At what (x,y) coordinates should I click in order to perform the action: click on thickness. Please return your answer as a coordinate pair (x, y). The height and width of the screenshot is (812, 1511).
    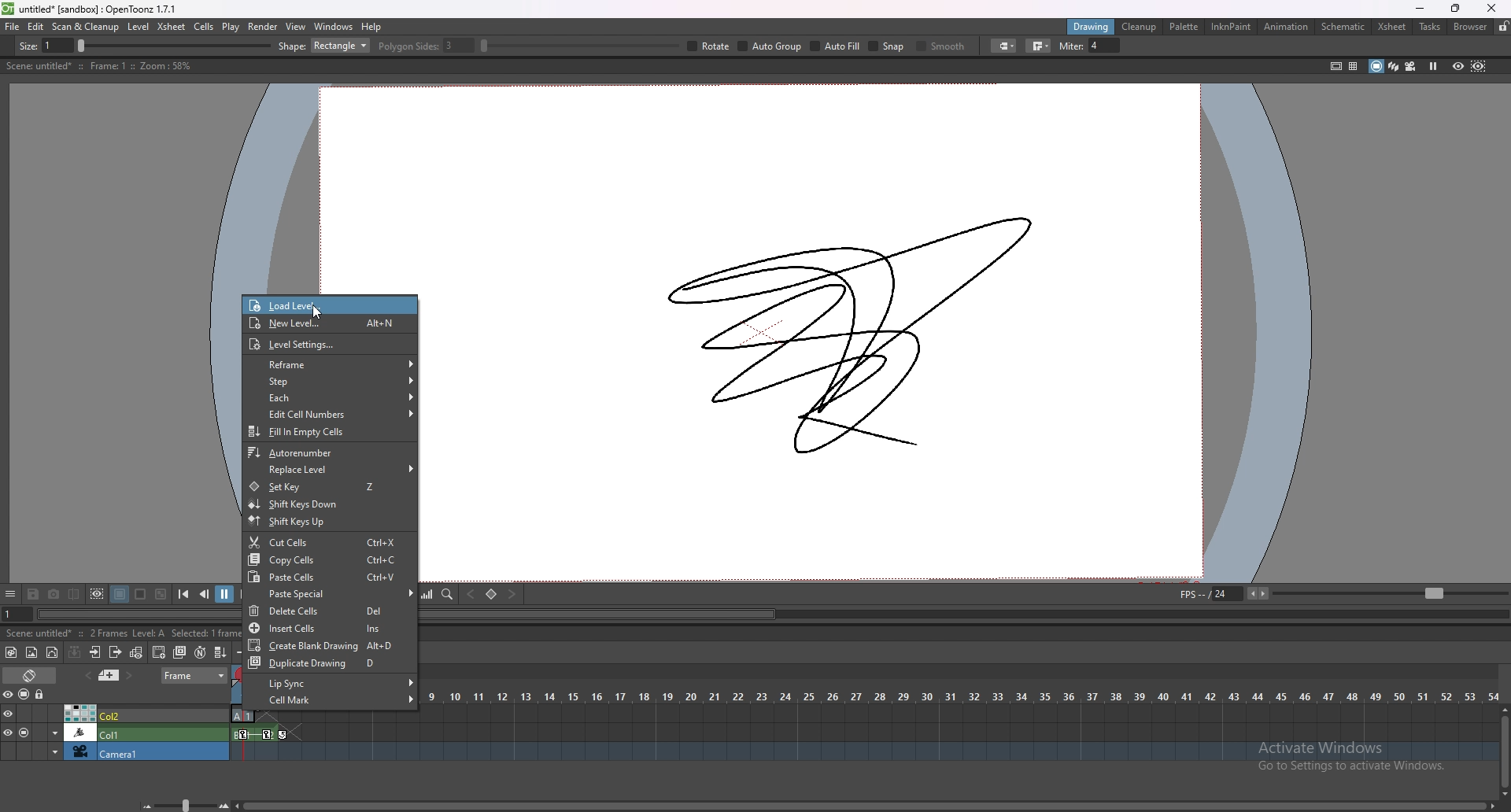
    Looking at the image, I should click on (163, 46).